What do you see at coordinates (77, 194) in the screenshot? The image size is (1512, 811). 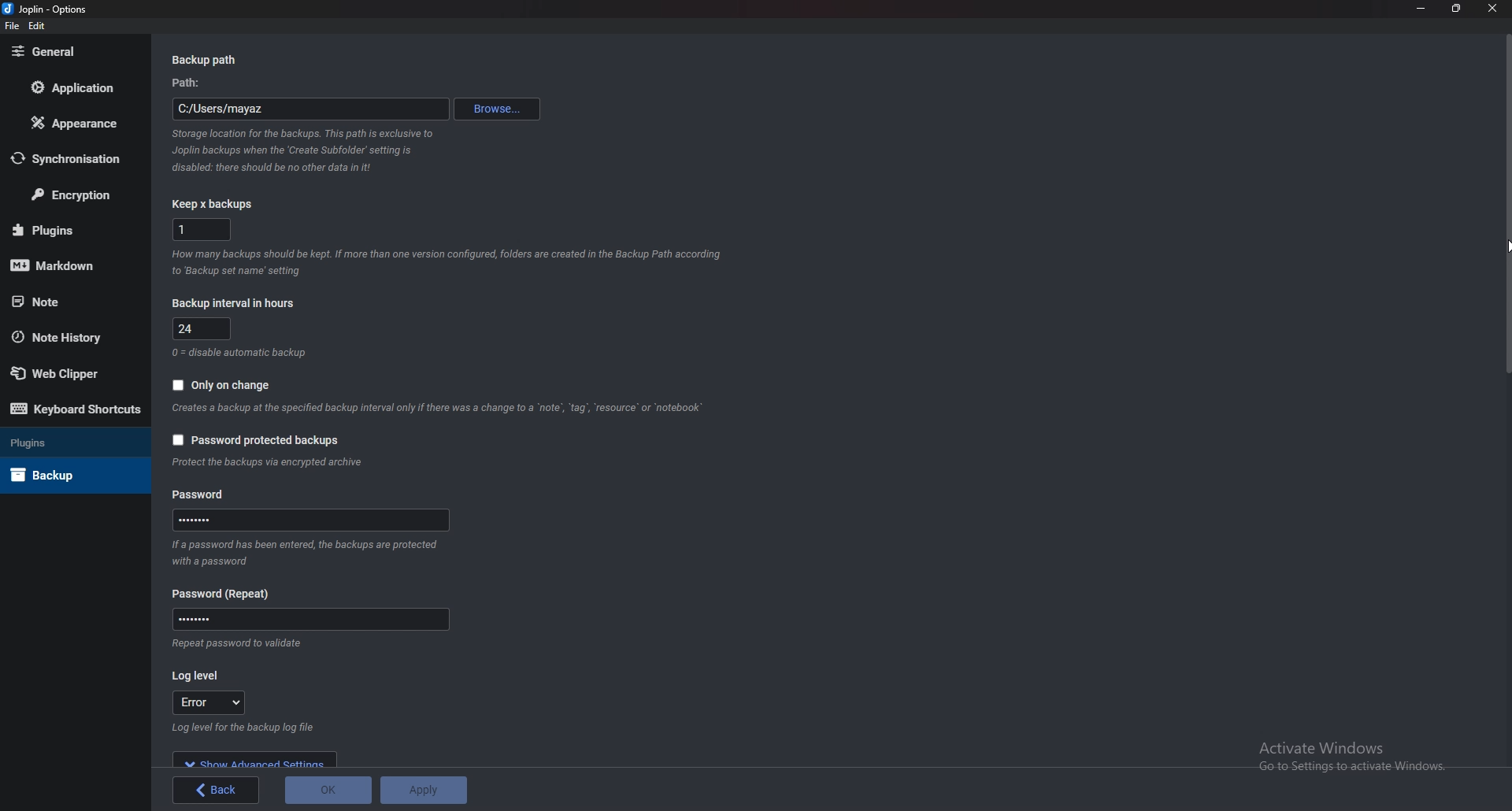 I see `Encryption` at bounding box center [77, 194].